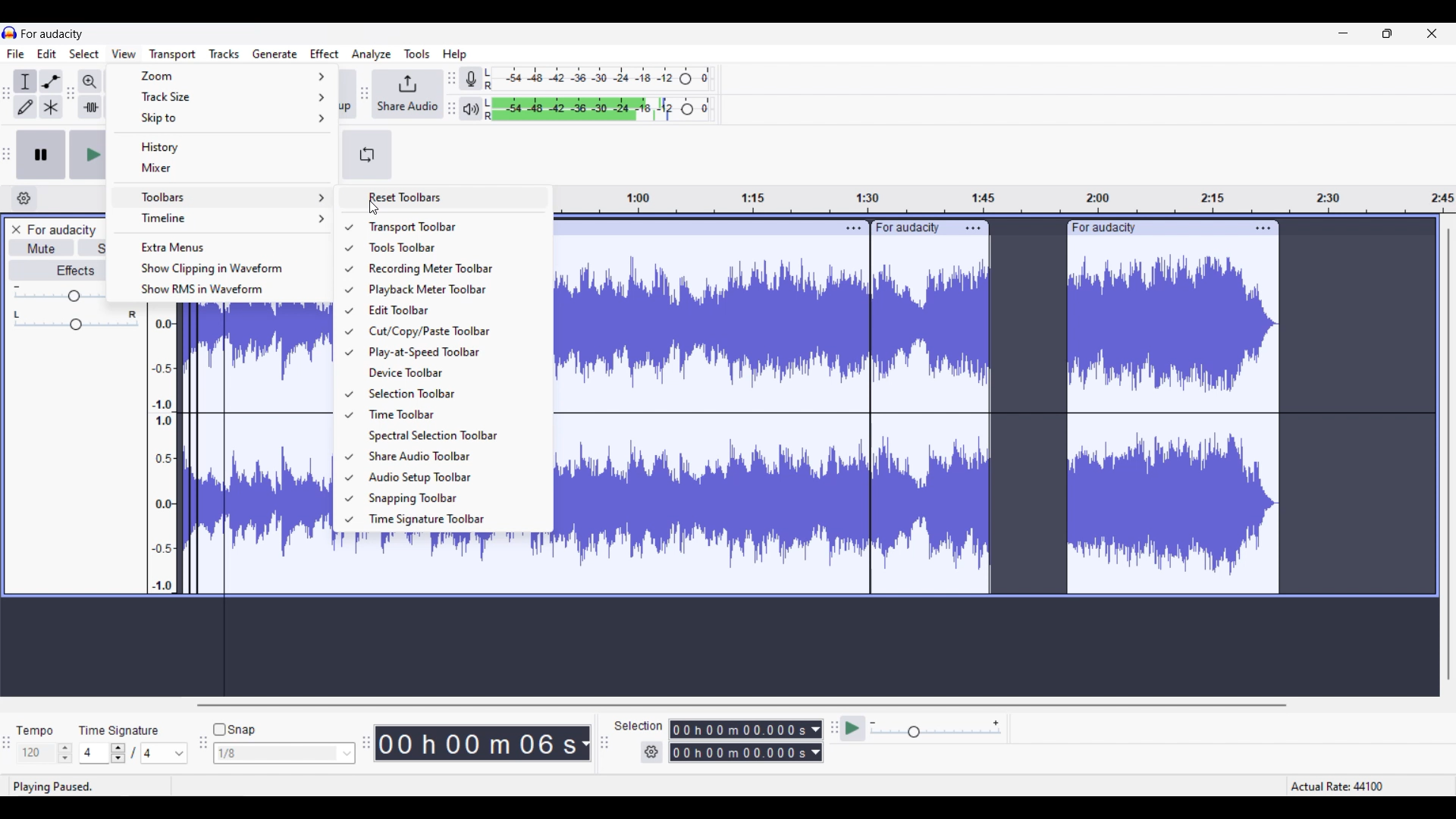 This screenshot has height=819, width=1456. What do you see at coordinates (598, 109) in the screenshot?
I see `Playback level` at bounding box center [598, 109].